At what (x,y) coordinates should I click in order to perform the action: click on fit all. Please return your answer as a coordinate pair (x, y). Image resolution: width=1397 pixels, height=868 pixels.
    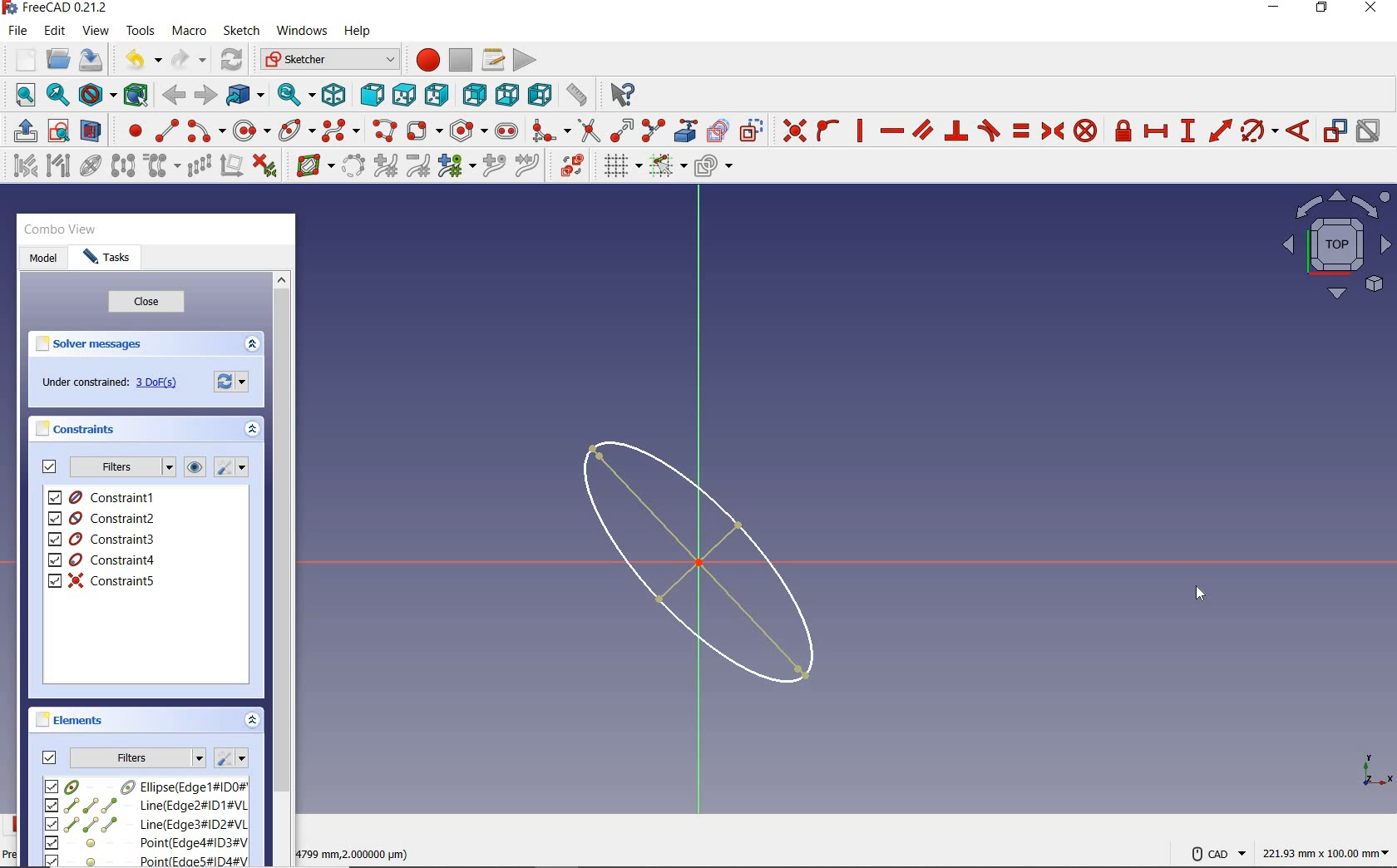
    Looking at the image, I should click on (21, 96).